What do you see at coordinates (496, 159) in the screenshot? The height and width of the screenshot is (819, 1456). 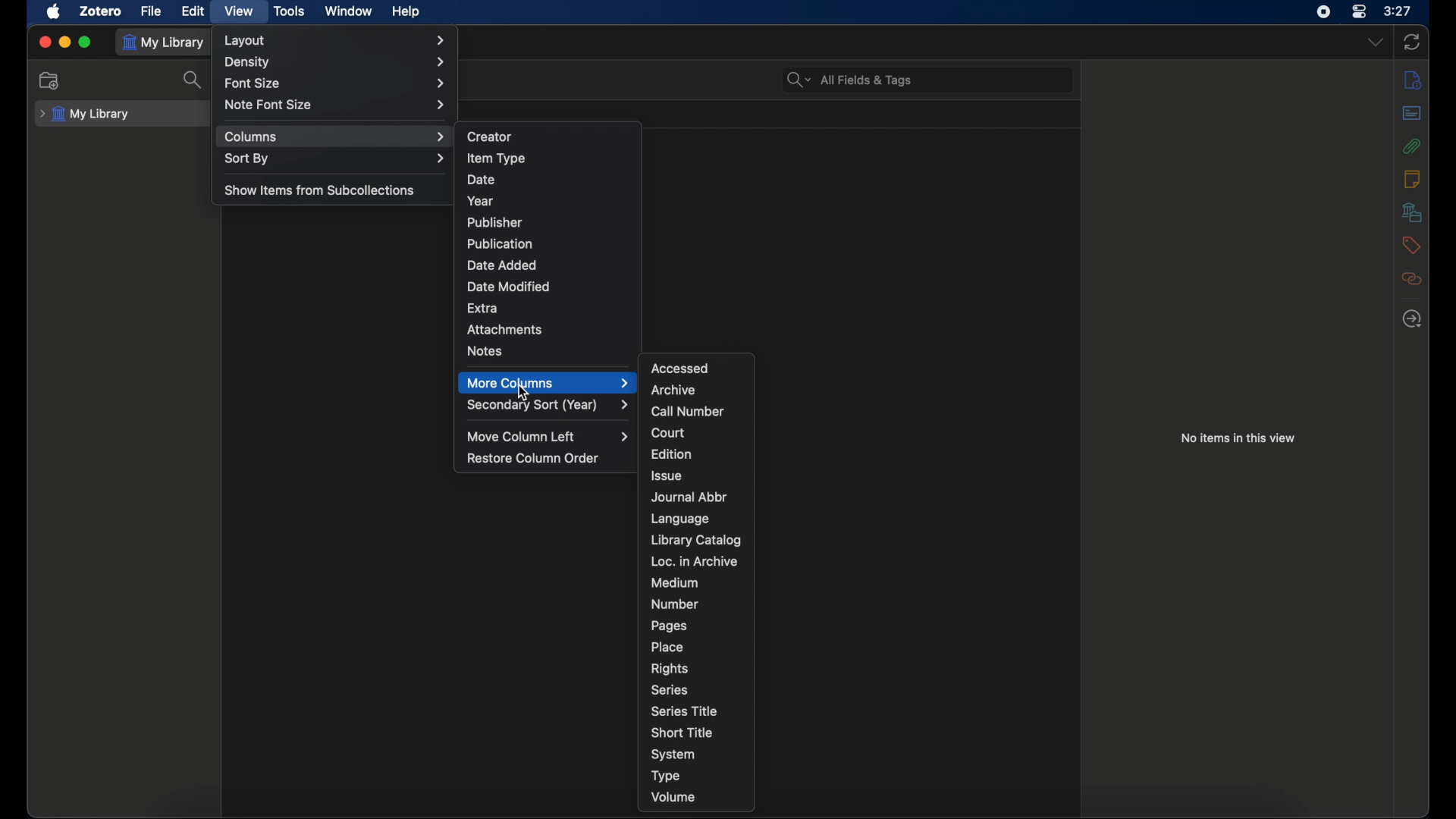 I see `item type` at bounding box center [496, 159].